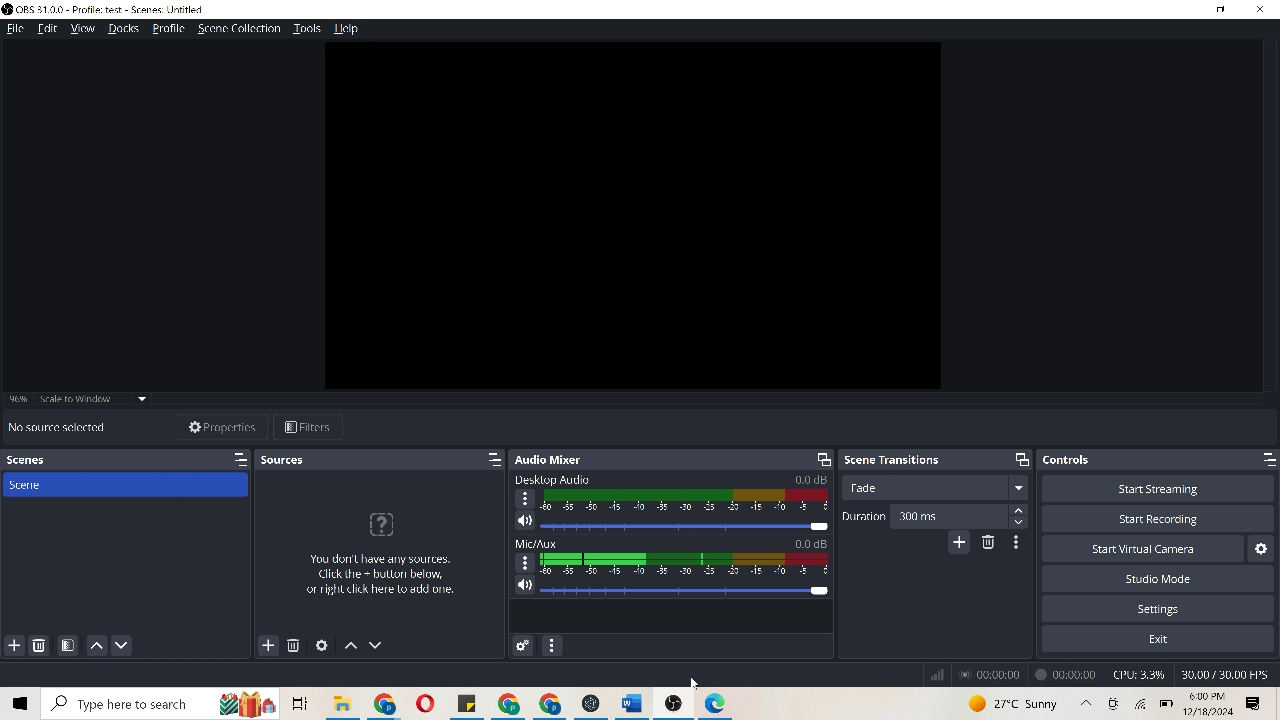  What do you see at coordinates (1211, 704) in the screenshot?
I see `time & date` at bounding box center [1211, 704].